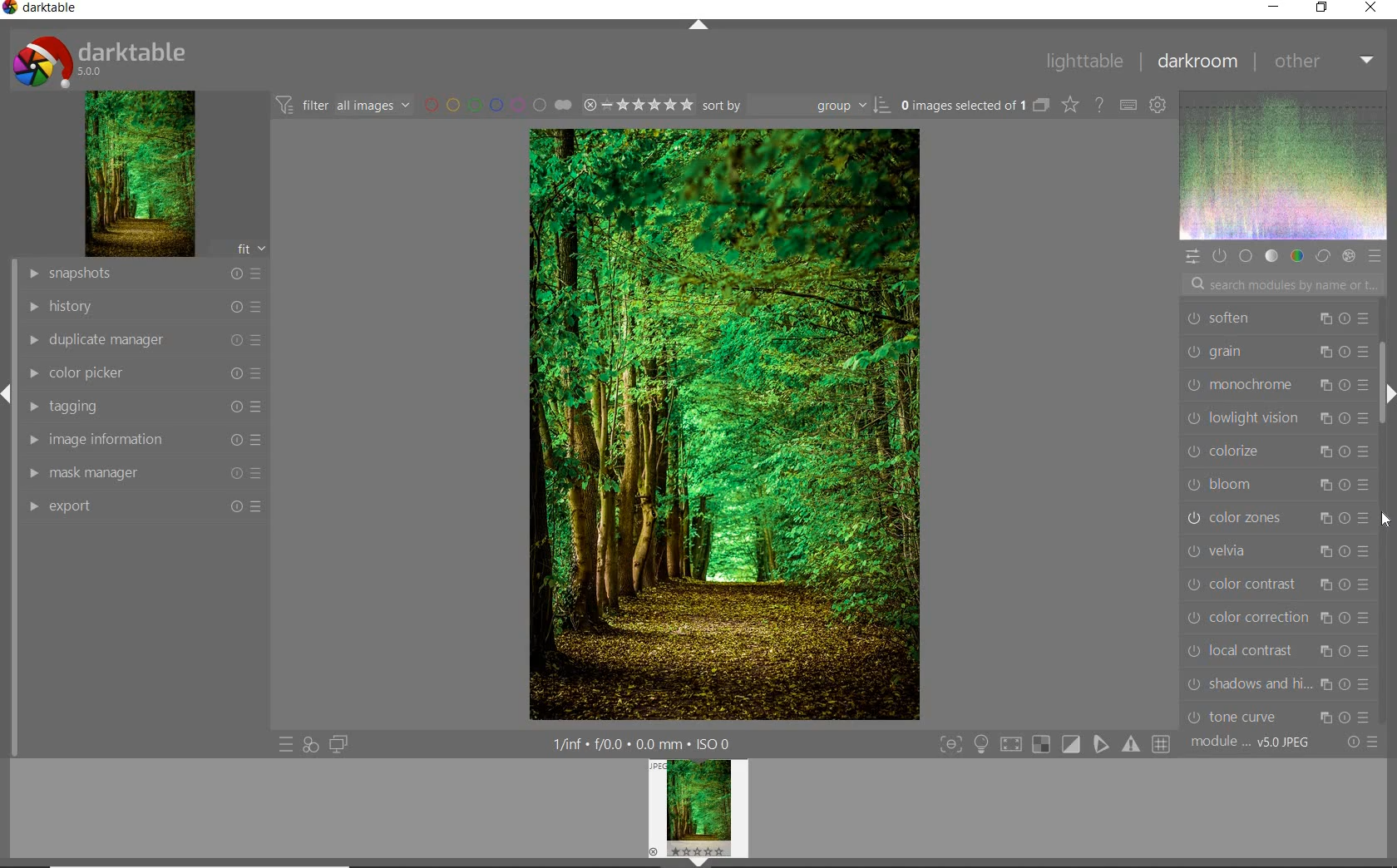 This screenshot has width=1397, height=868. What do you see at coordinates (1071, 105) in the screenshot?
I see `CHANGE TYPE OVERRELAY` at bounding box center [1071, 105].